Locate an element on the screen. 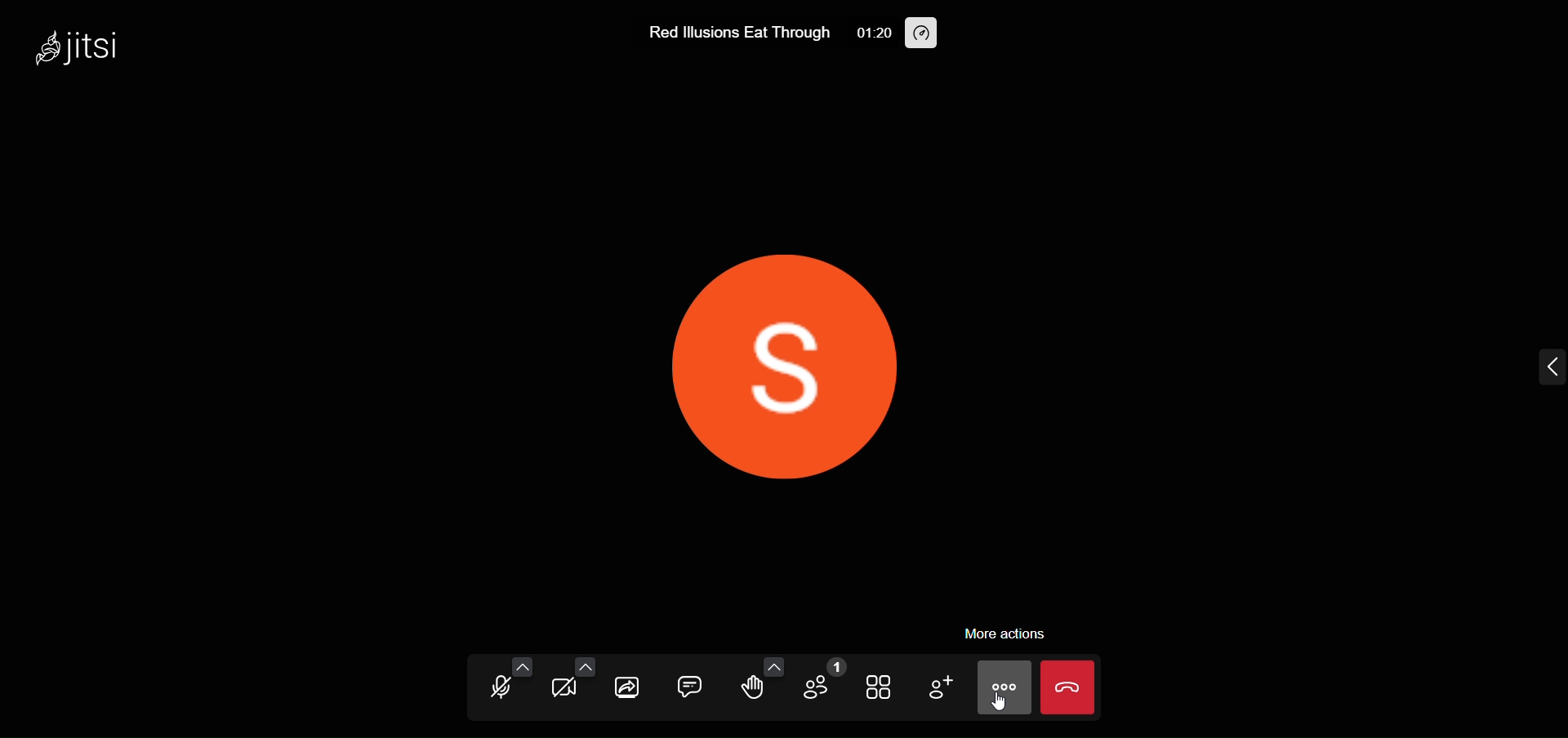  raise hand is located at coordinates (750, 691).